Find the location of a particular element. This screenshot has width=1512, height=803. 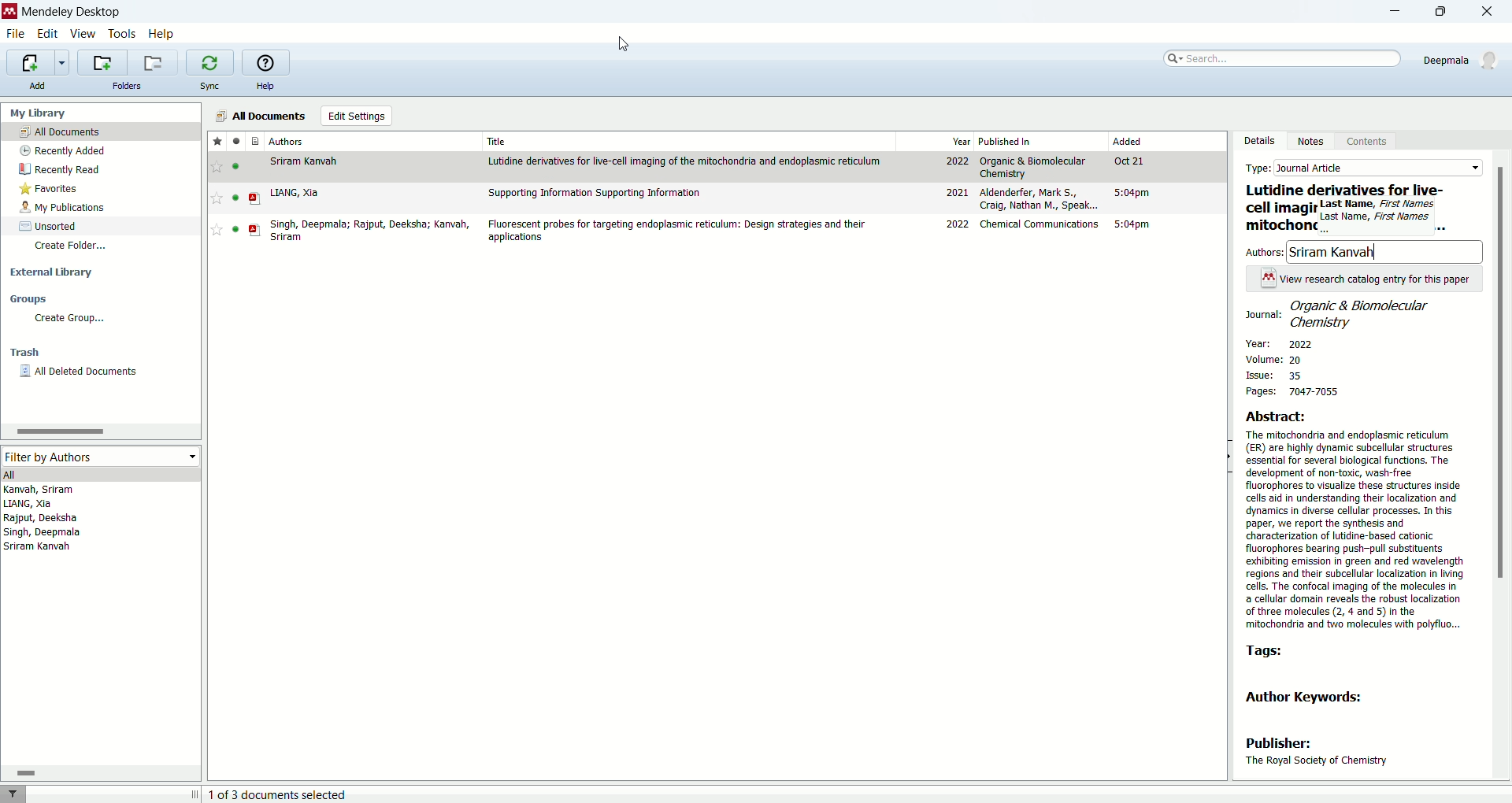

LIANG, Xia is located at coordinates (30, 505).